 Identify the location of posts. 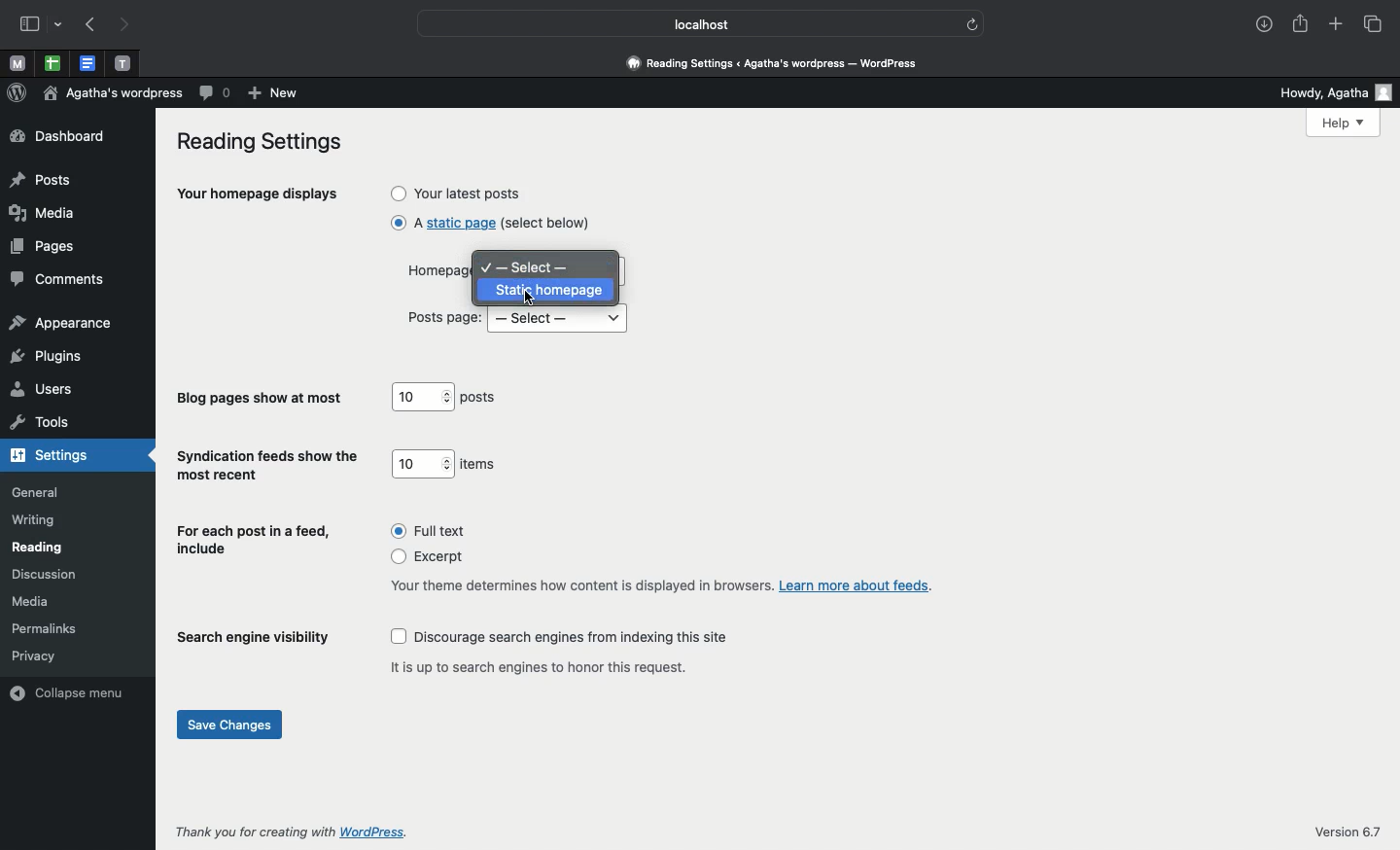
(41, 182).